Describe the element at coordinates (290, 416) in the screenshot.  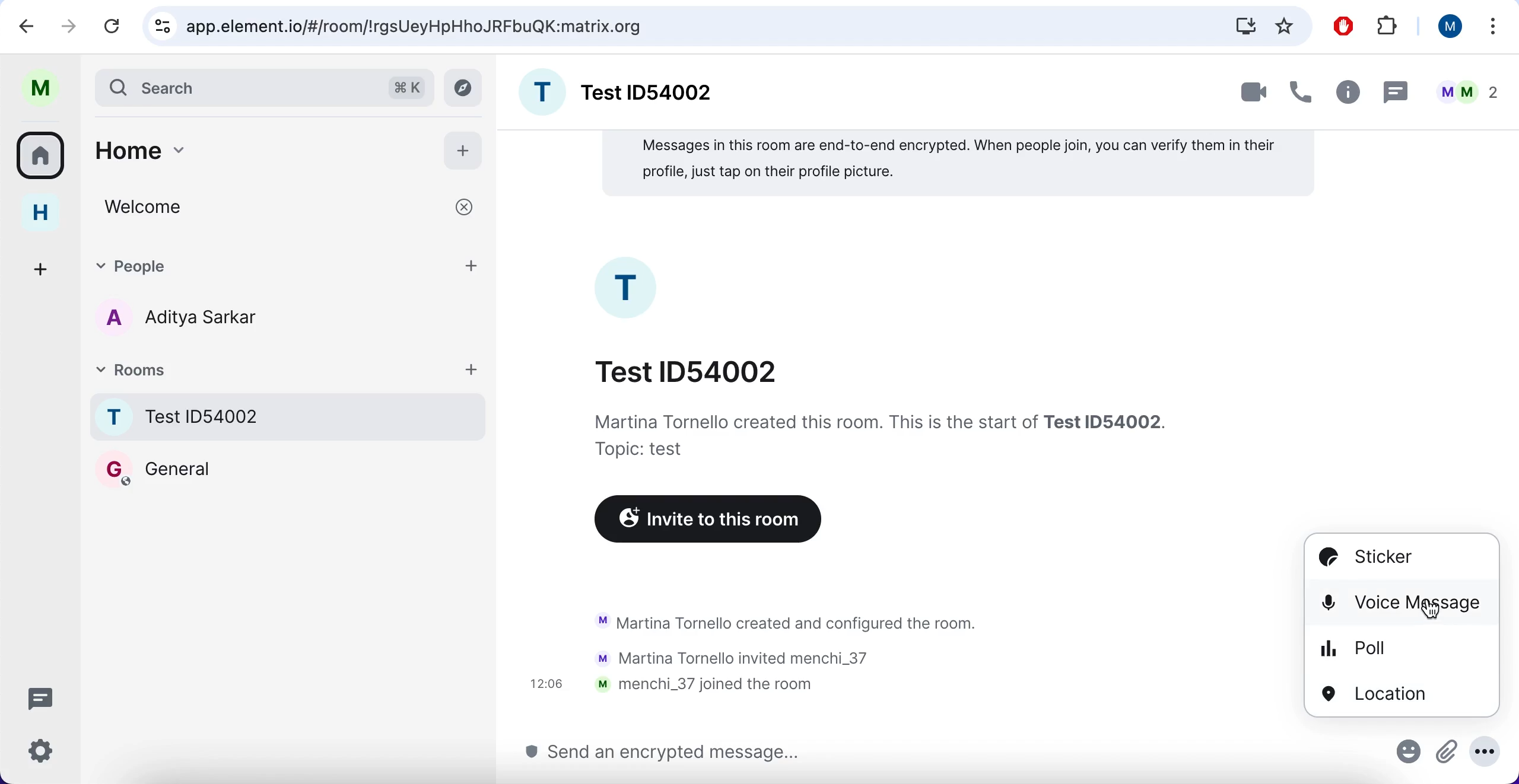
I see `room name` at that location.